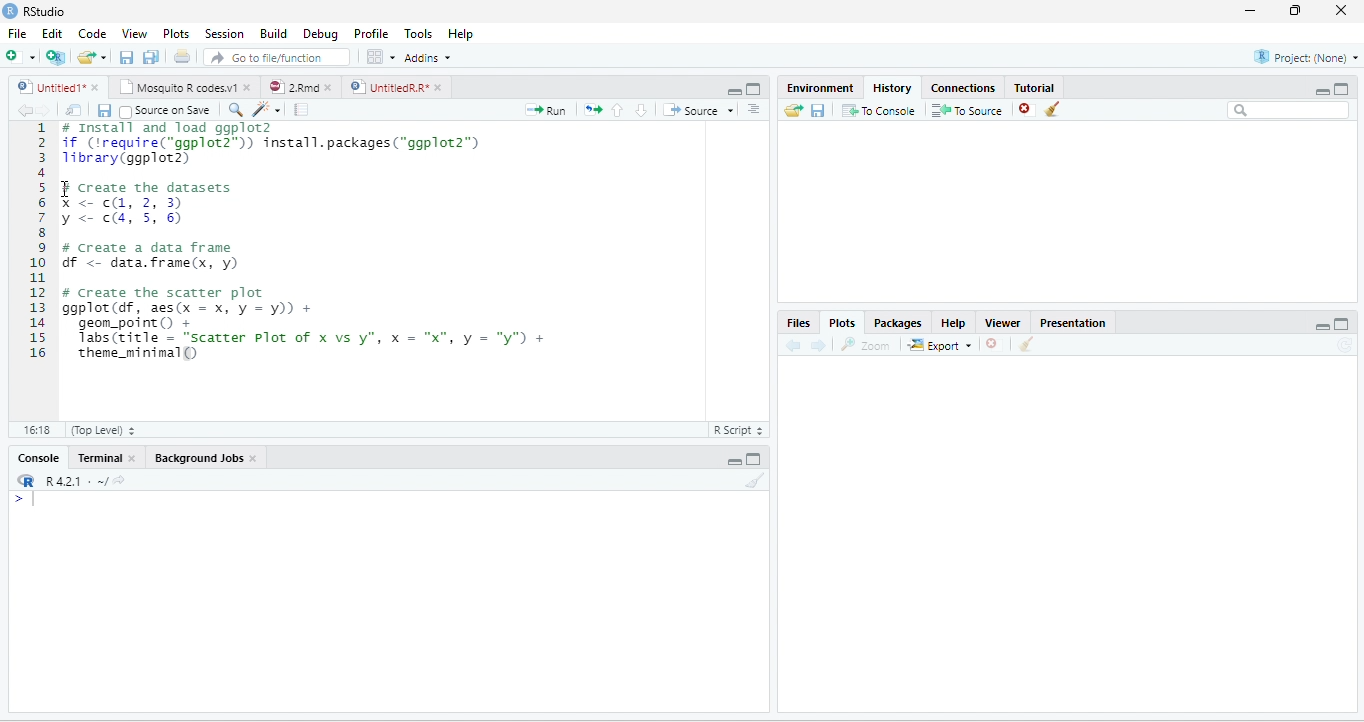 The height and width of the screenshot is (722, 1364). What do you see at coordinates (754, 458) in the screenshot?
I see `Maximize` at bounding box center [754, 458].